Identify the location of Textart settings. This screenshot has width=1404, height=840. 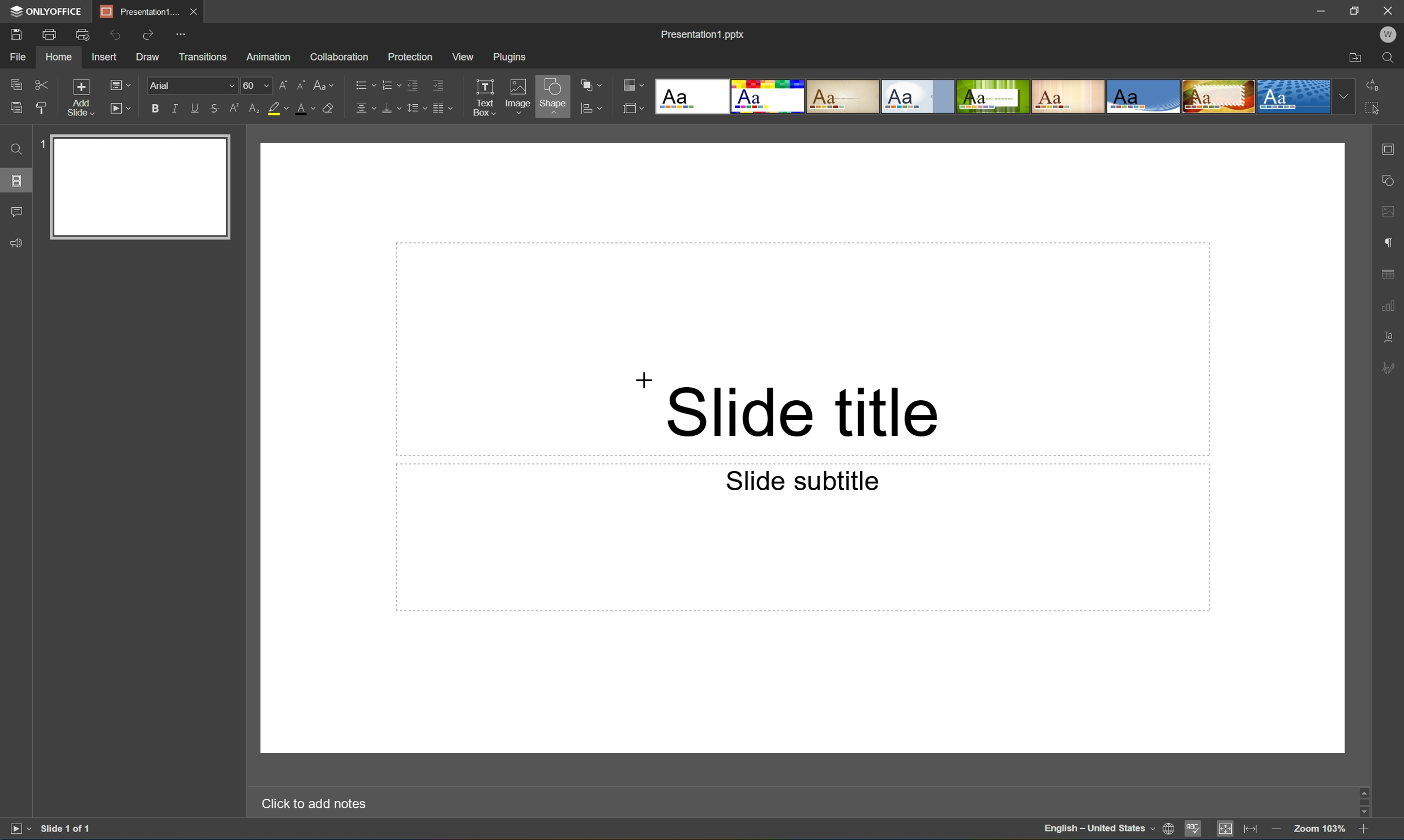
(1389, 338).